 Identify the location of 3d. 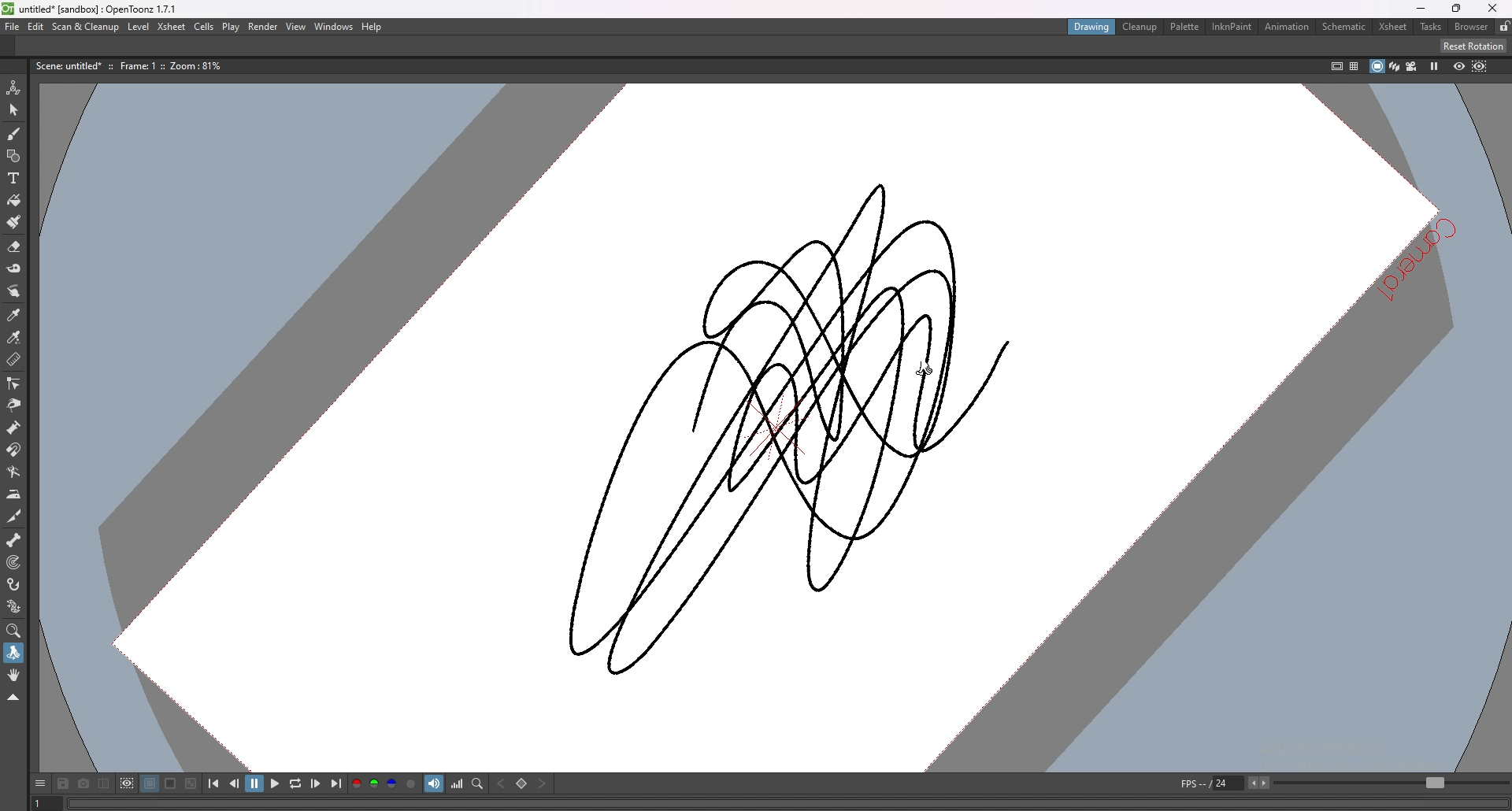
(1395, 66).